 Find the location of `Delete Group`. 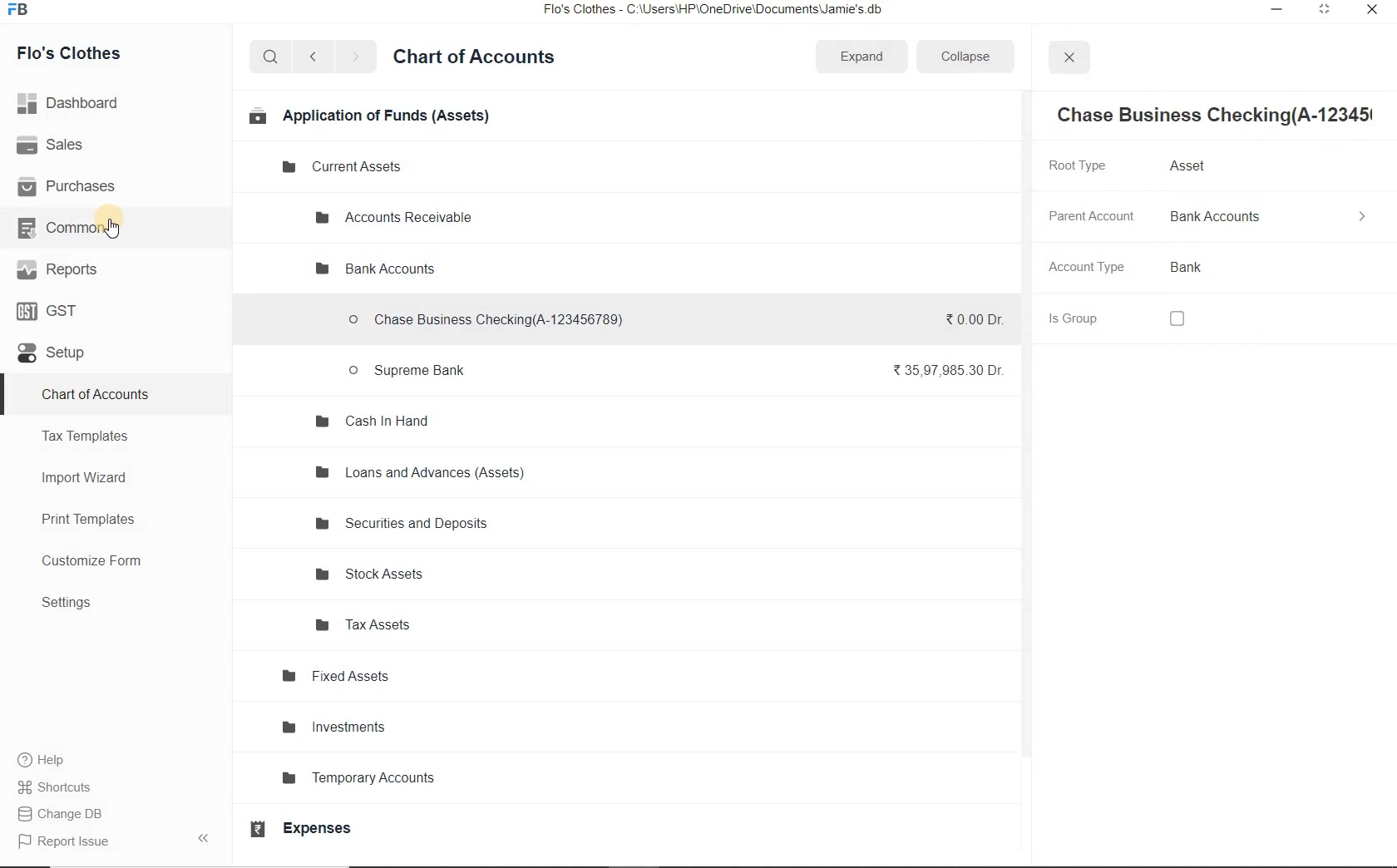

Delete Group is located at coordinates (639, 269).